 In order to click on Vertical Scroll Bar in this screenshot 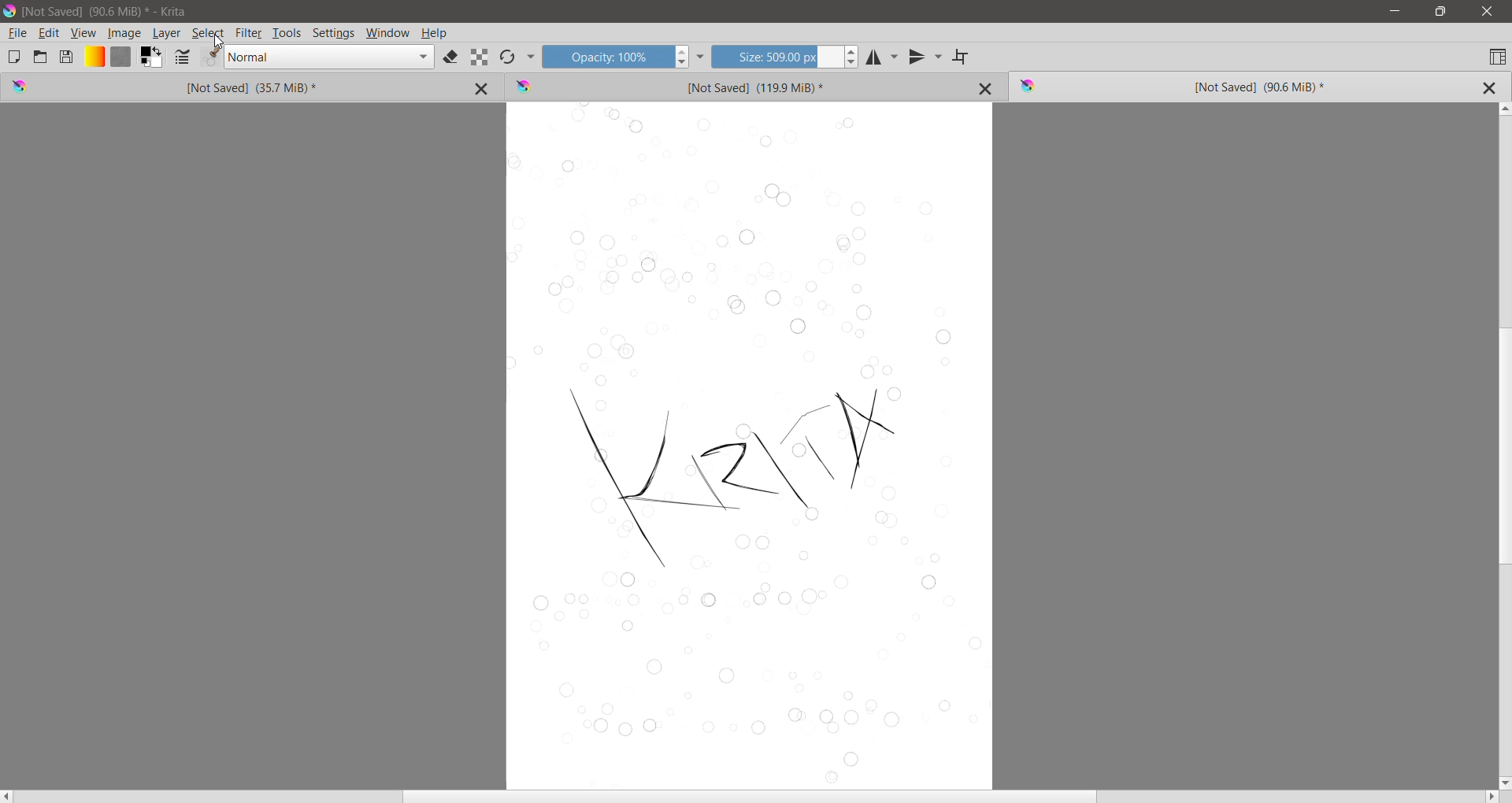, I will do `click(1503, 445)`.